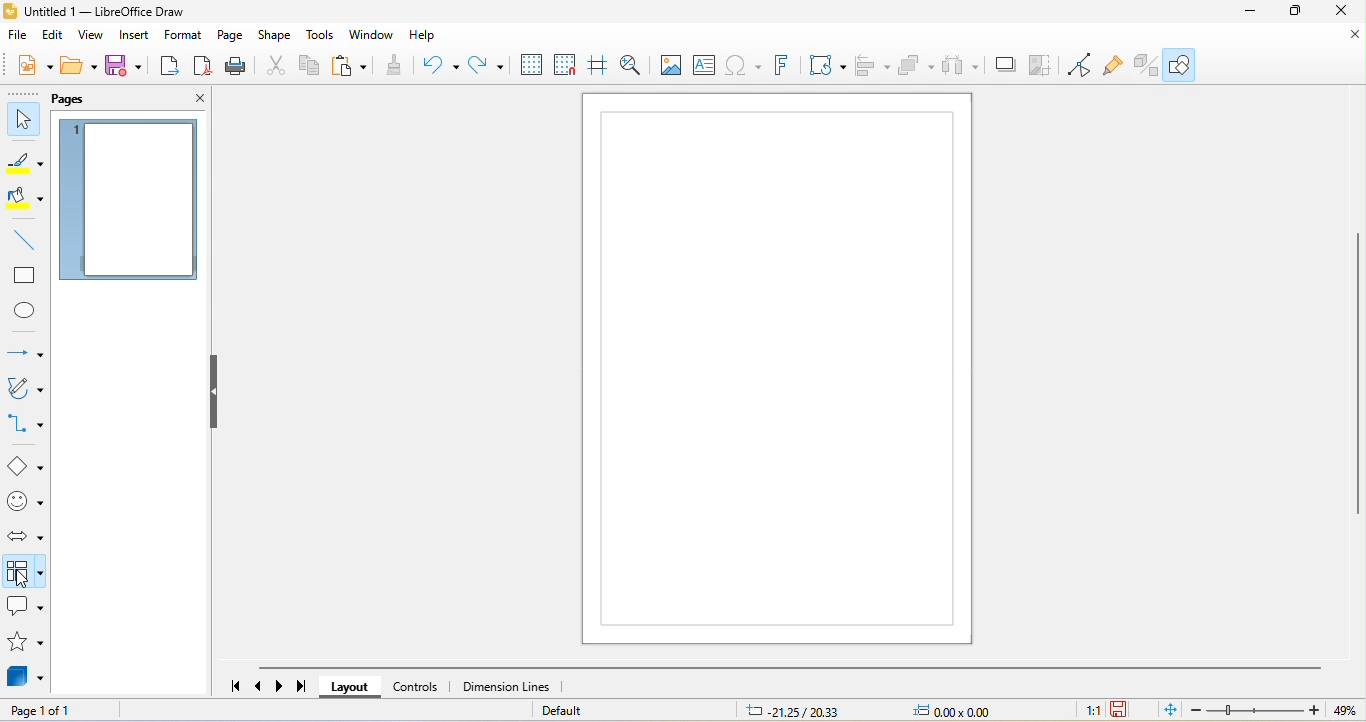 Image resolution: width=1366 pixels, height=722 pixels. I want to click on show draw function, so click(1179, 65).